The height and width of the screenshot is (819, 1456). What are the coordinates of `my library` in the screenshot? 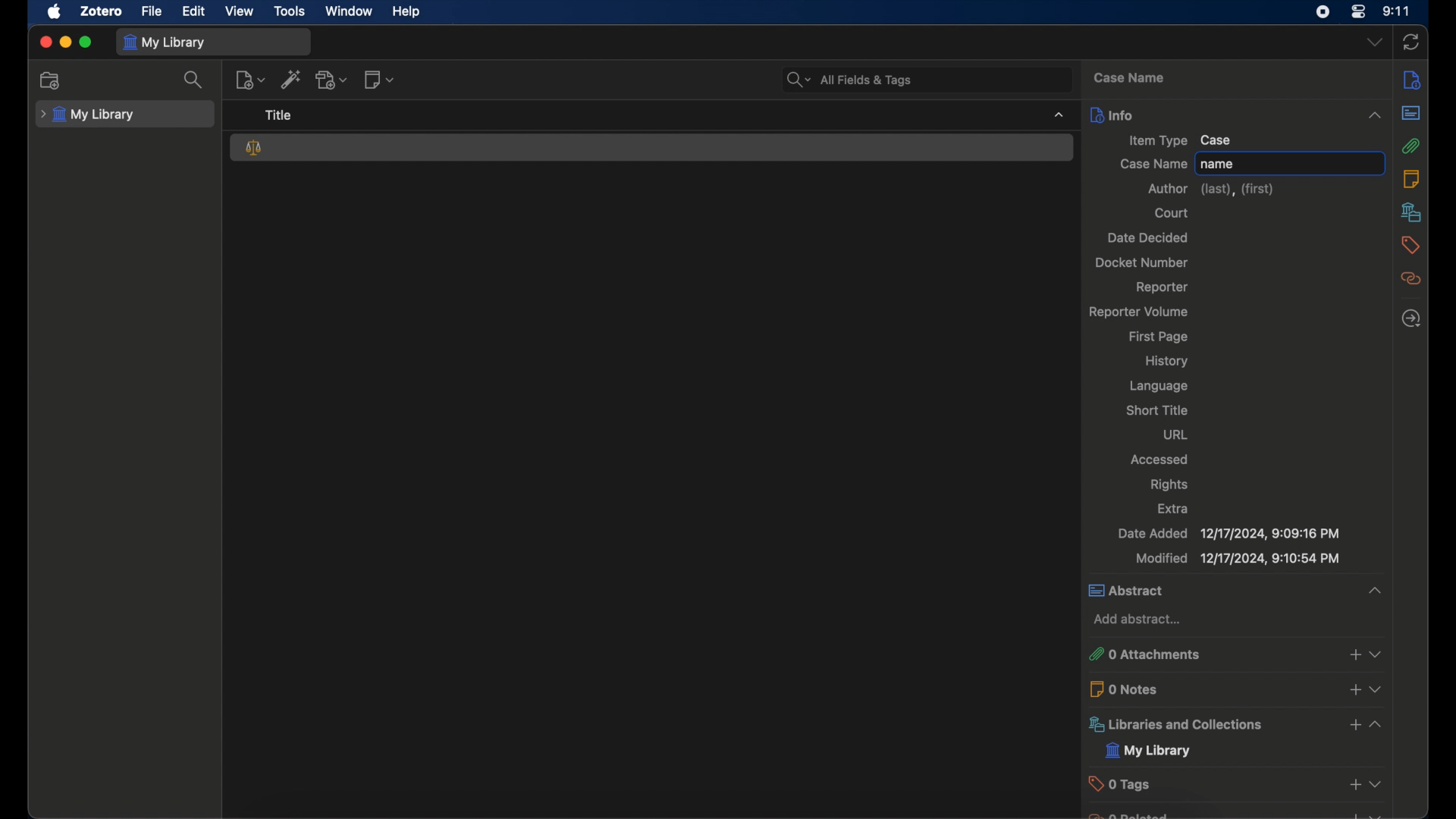 It's located at (1147, 752).